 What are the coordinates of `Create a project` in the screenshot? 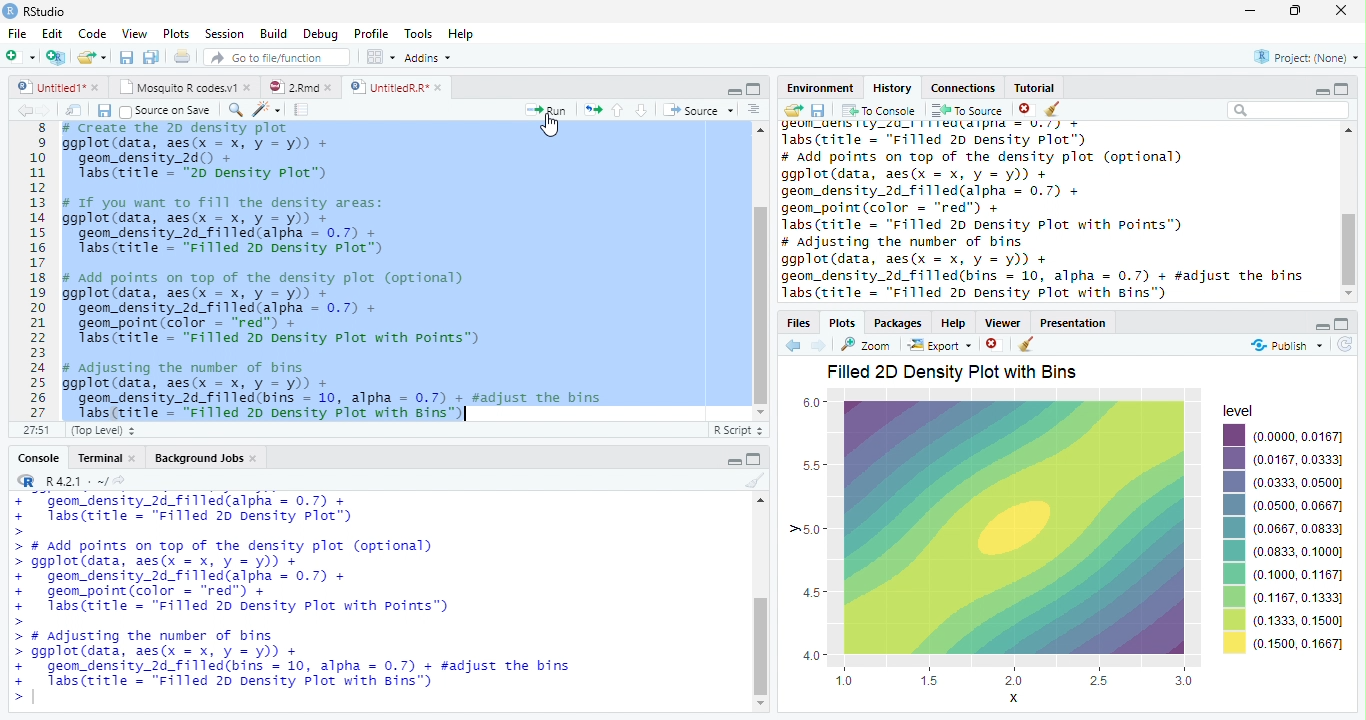 It's located at (55, 57).